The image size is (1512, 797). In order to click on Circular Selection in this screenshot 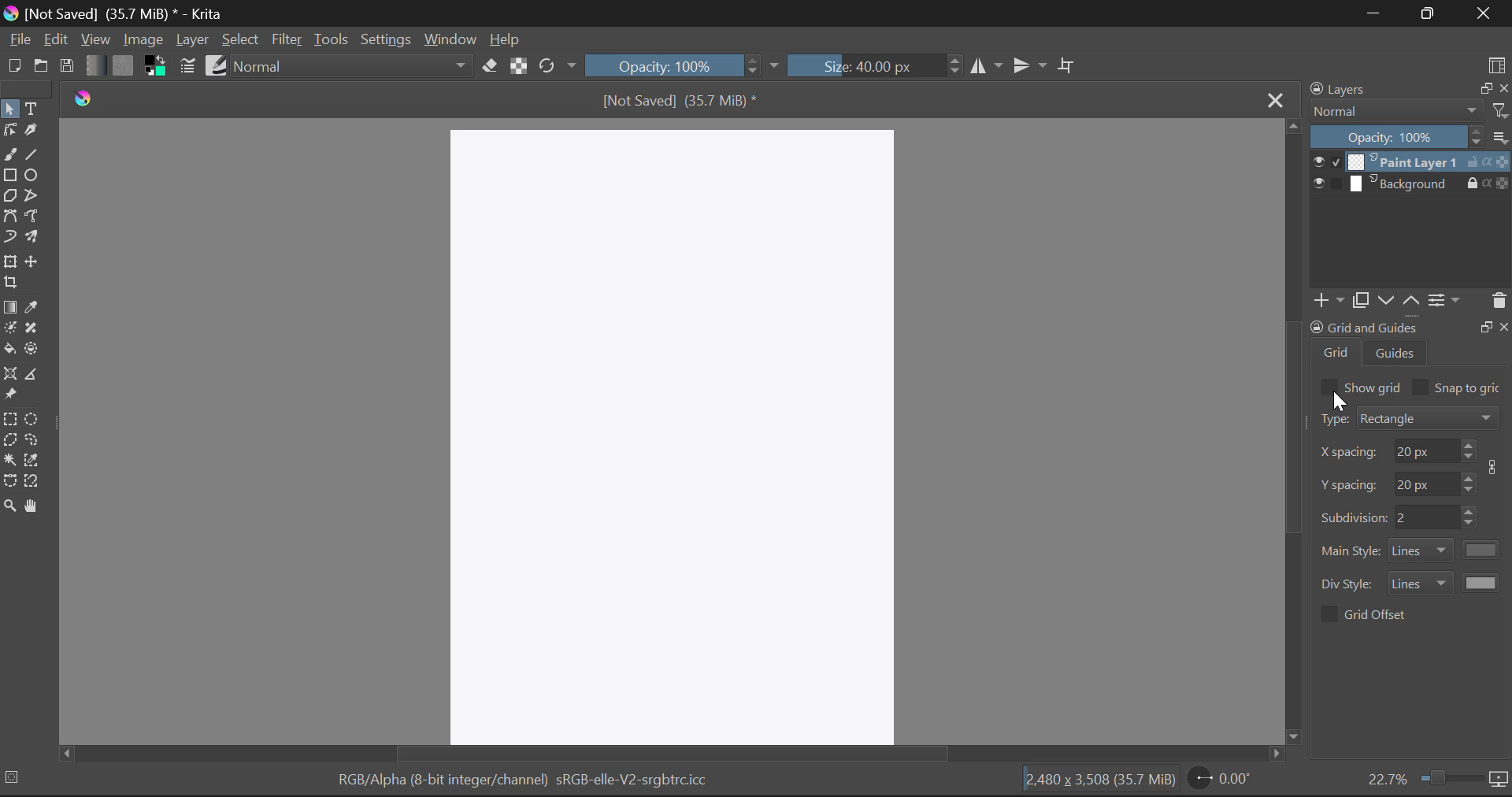, I will do `click(34, 420)`.